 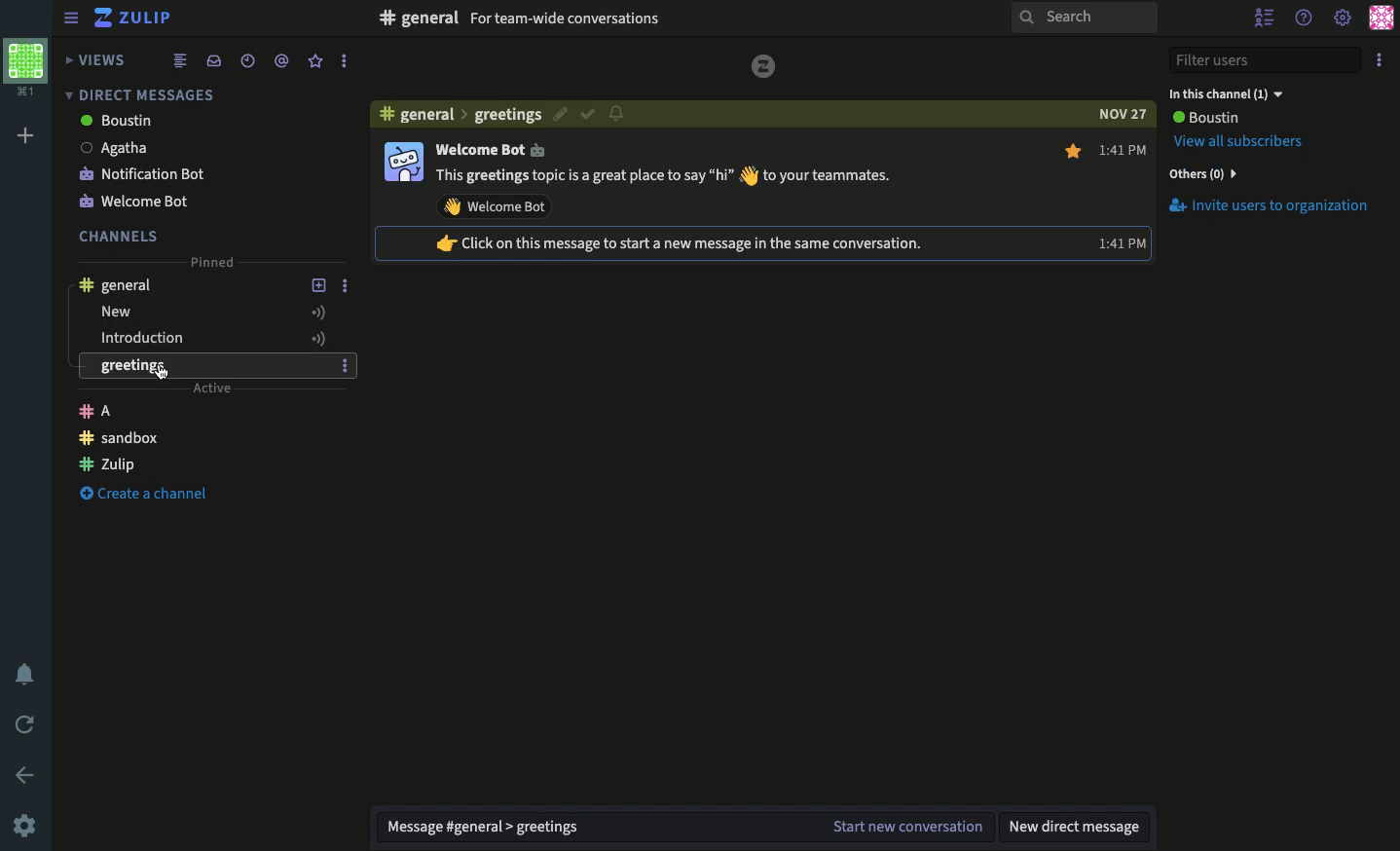 I want to click on Notification bot, so click(x=187, y=172).